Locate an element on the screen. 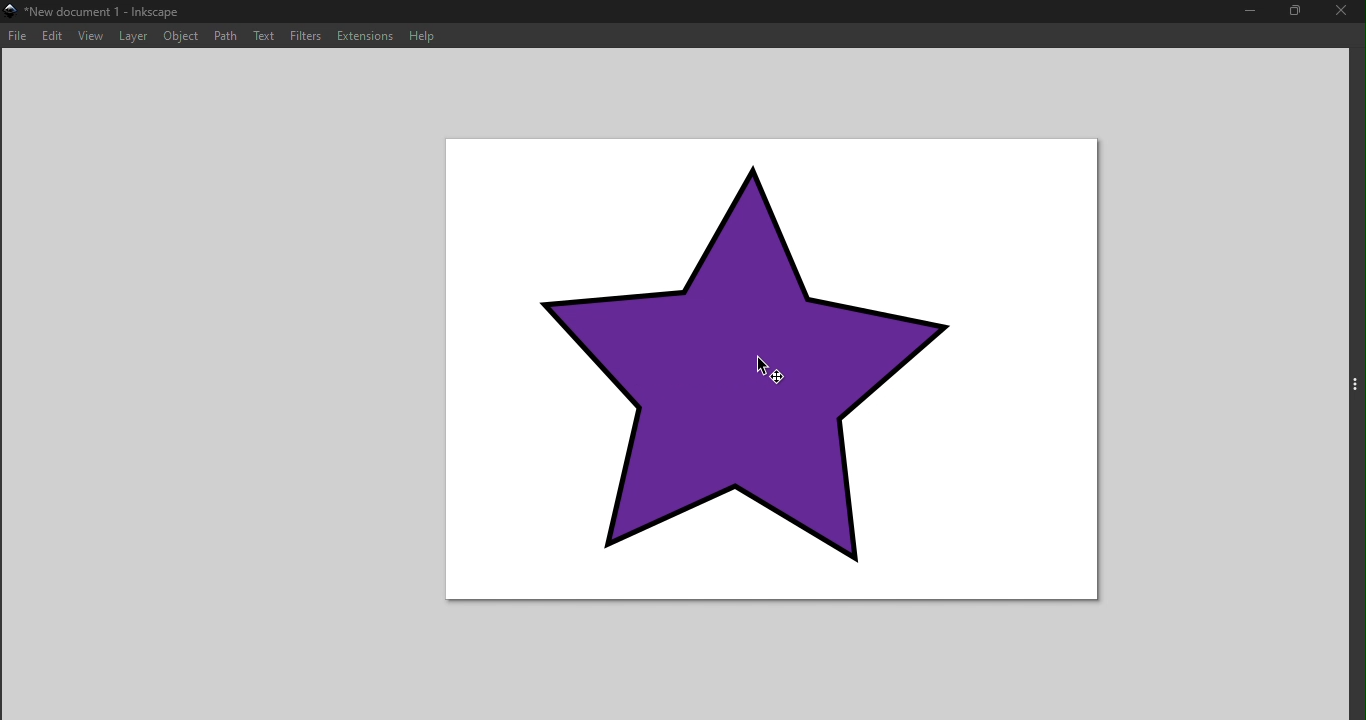 Image resolution: width=1366 pixels, height=720 pixels. Text is located at coordinates (266, 35).